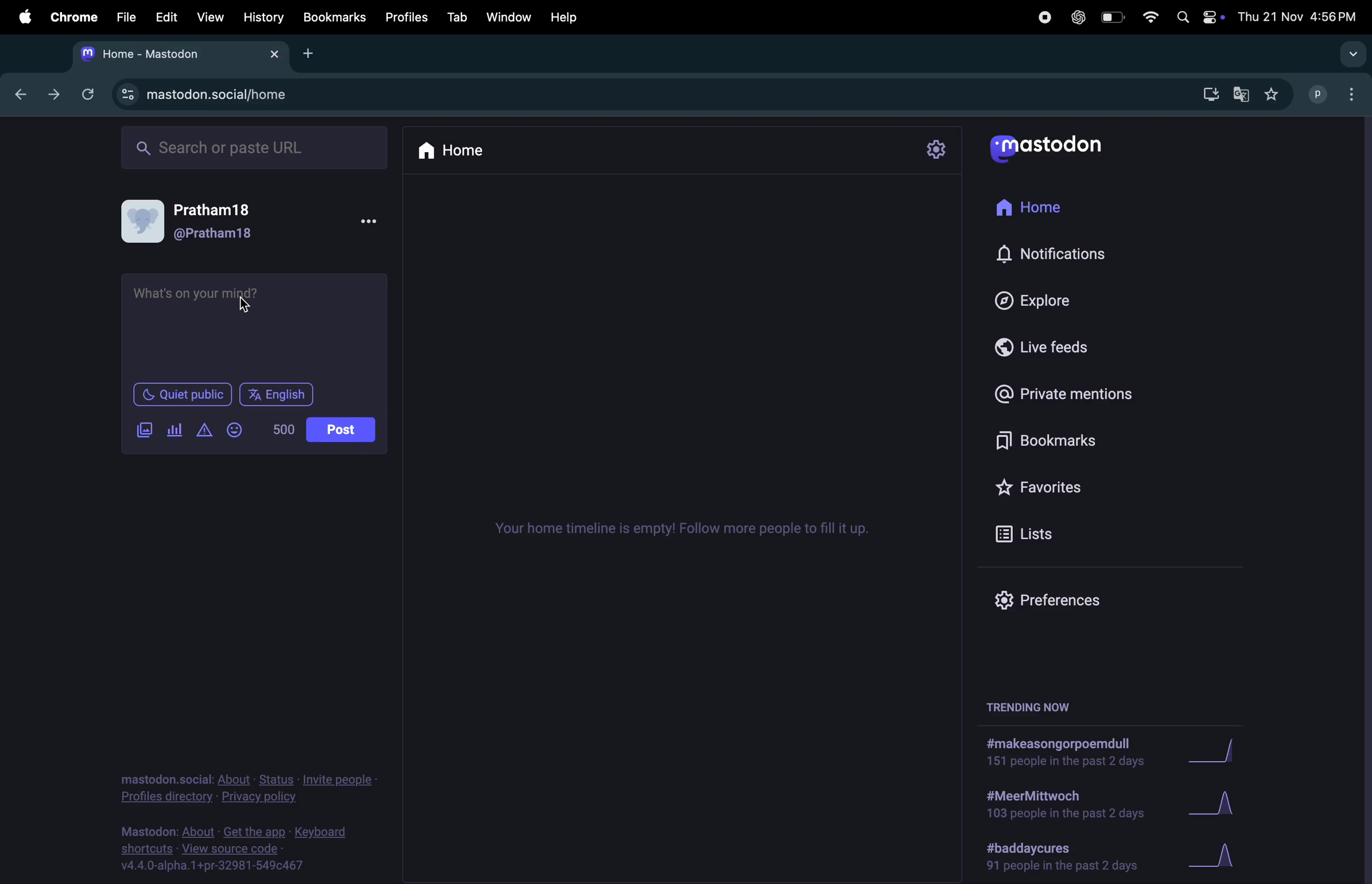 The height and width of the screenshot is (884, 1372). What do you see at coordinates (456, 15) in the screenshot?
I see `tab` at bounding box center [456, 15].